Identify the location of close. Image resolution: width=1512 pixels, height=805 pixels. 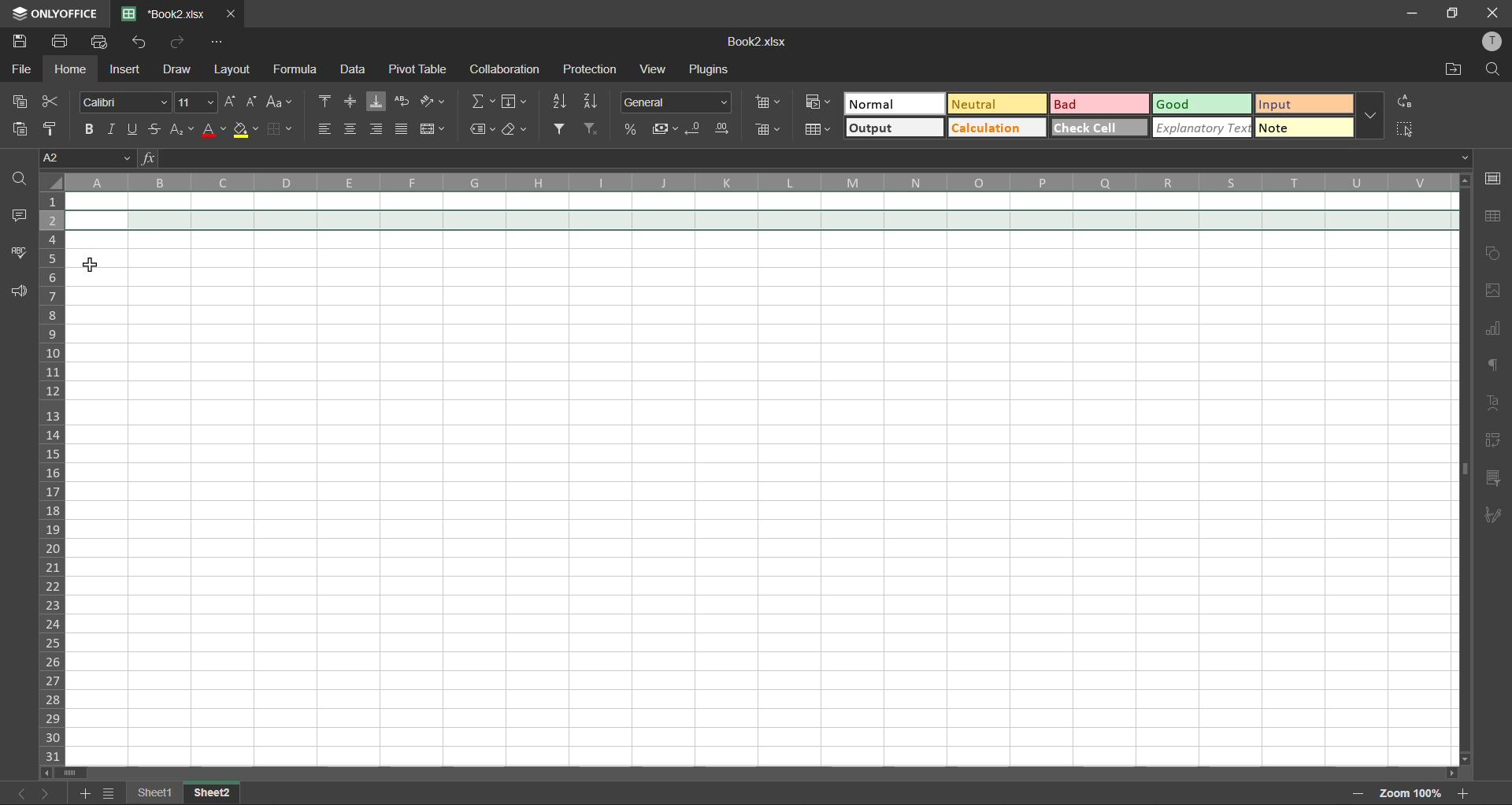
(1493, 13).